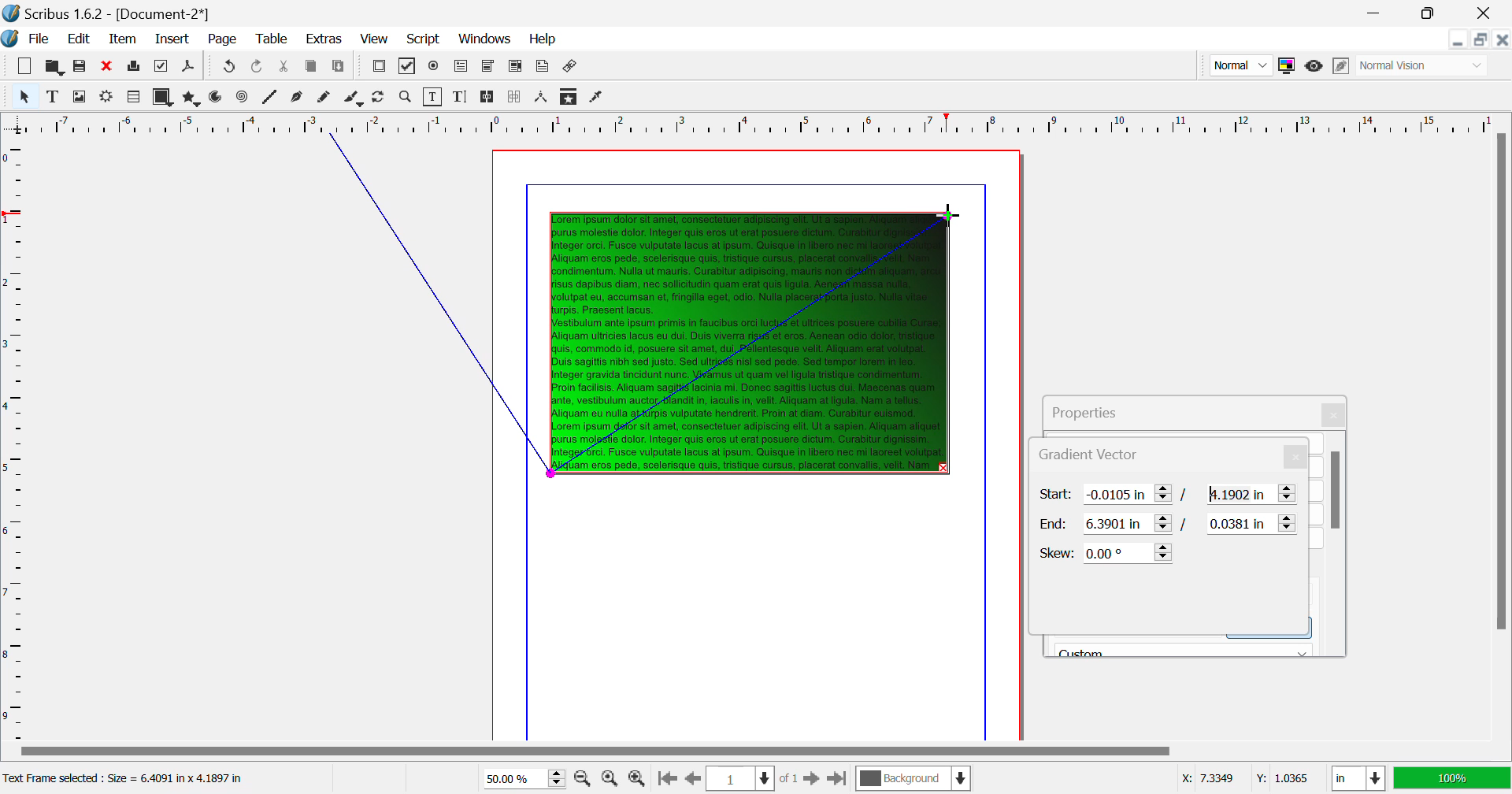 This screenshot has height=794, width=1512. I want to click on Restore Down, so click(1459, 39).